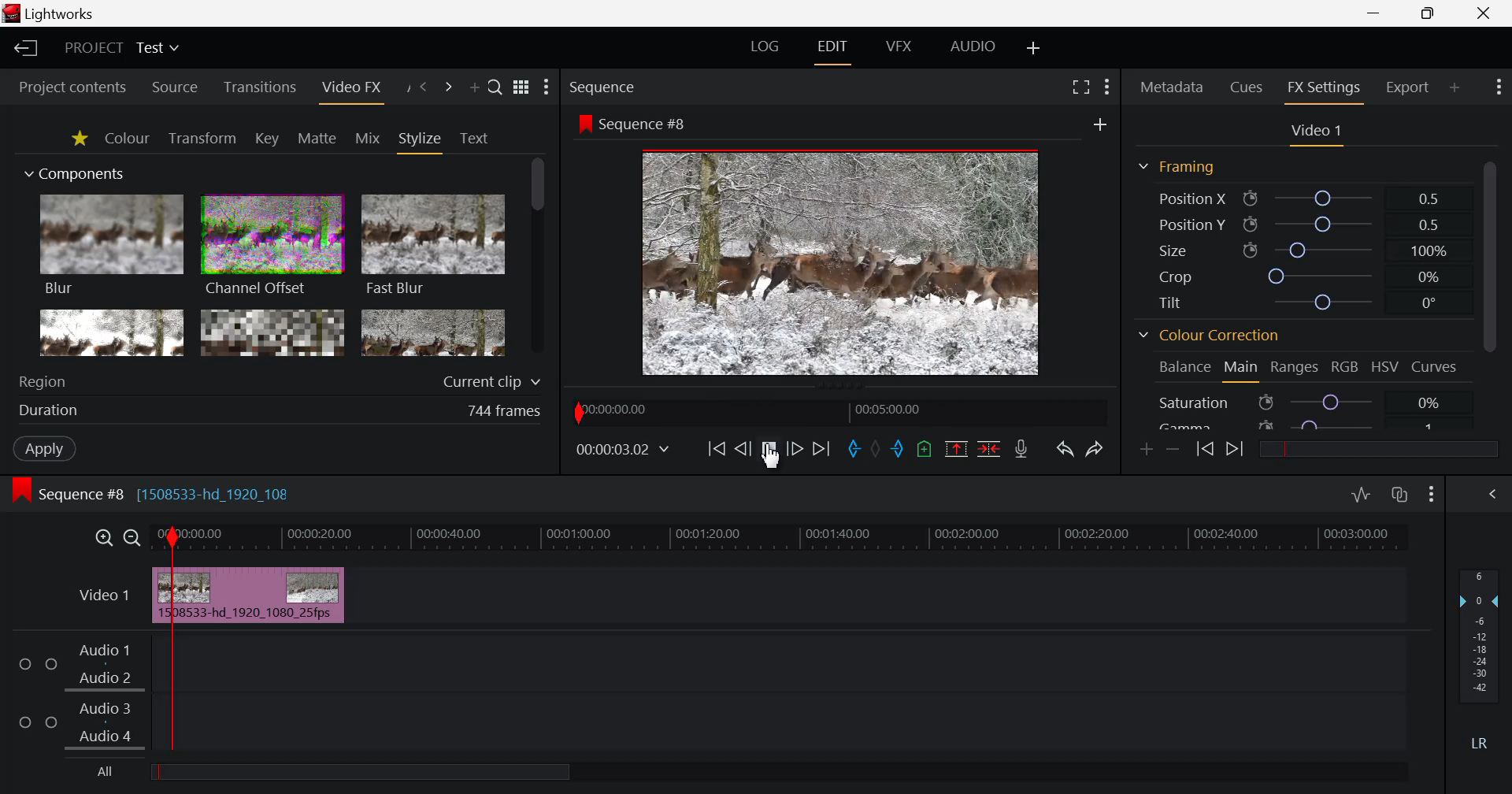 Image resolution: width=1512 pixels, height=794 pixels. I want to click on Gamma, so click(1310, 423).